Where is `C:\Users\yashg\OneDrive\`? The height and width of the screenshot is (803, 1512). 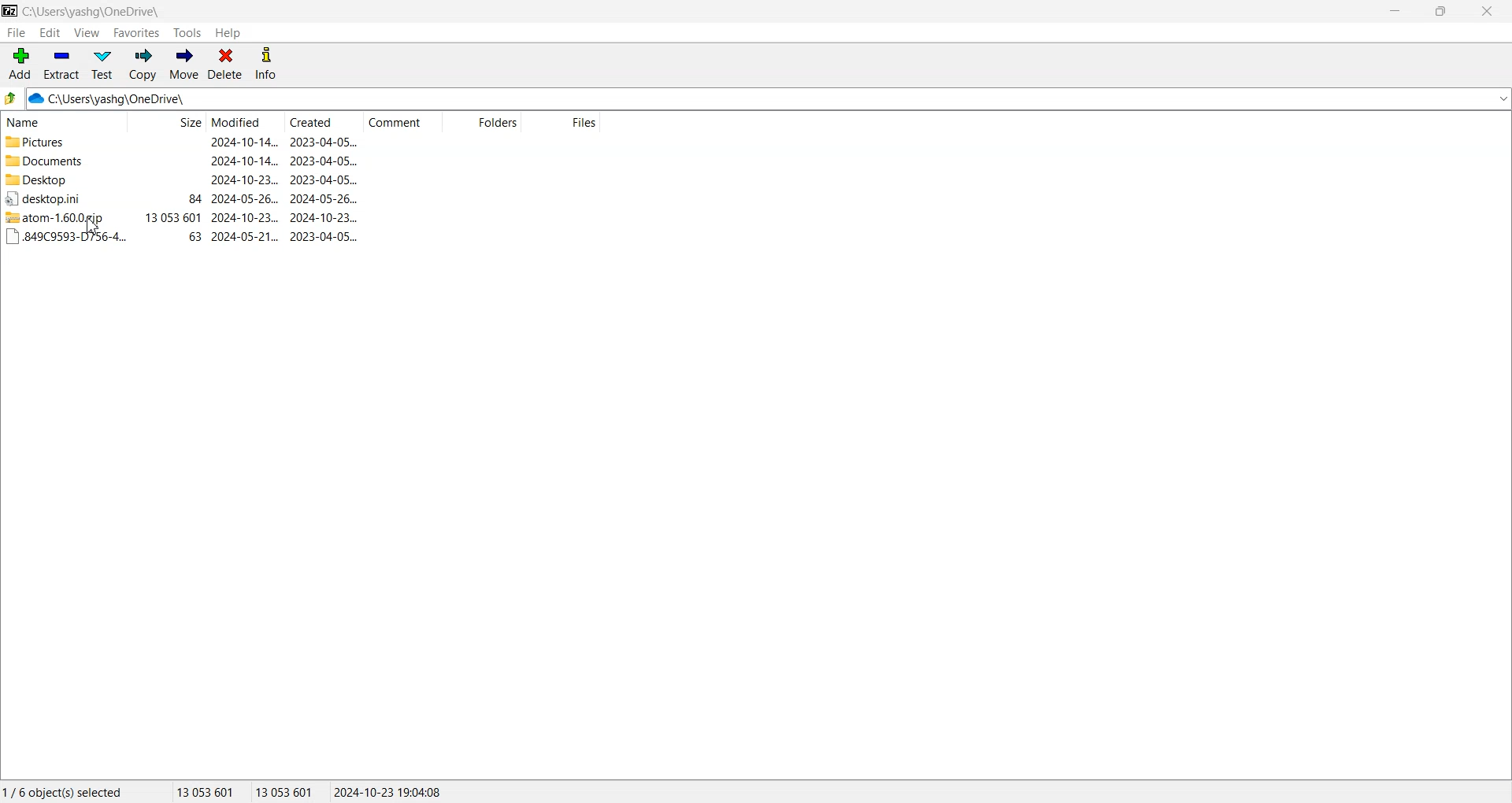
C:\Users\yashg\OneDrive\ is located at coordinates (130, 99).